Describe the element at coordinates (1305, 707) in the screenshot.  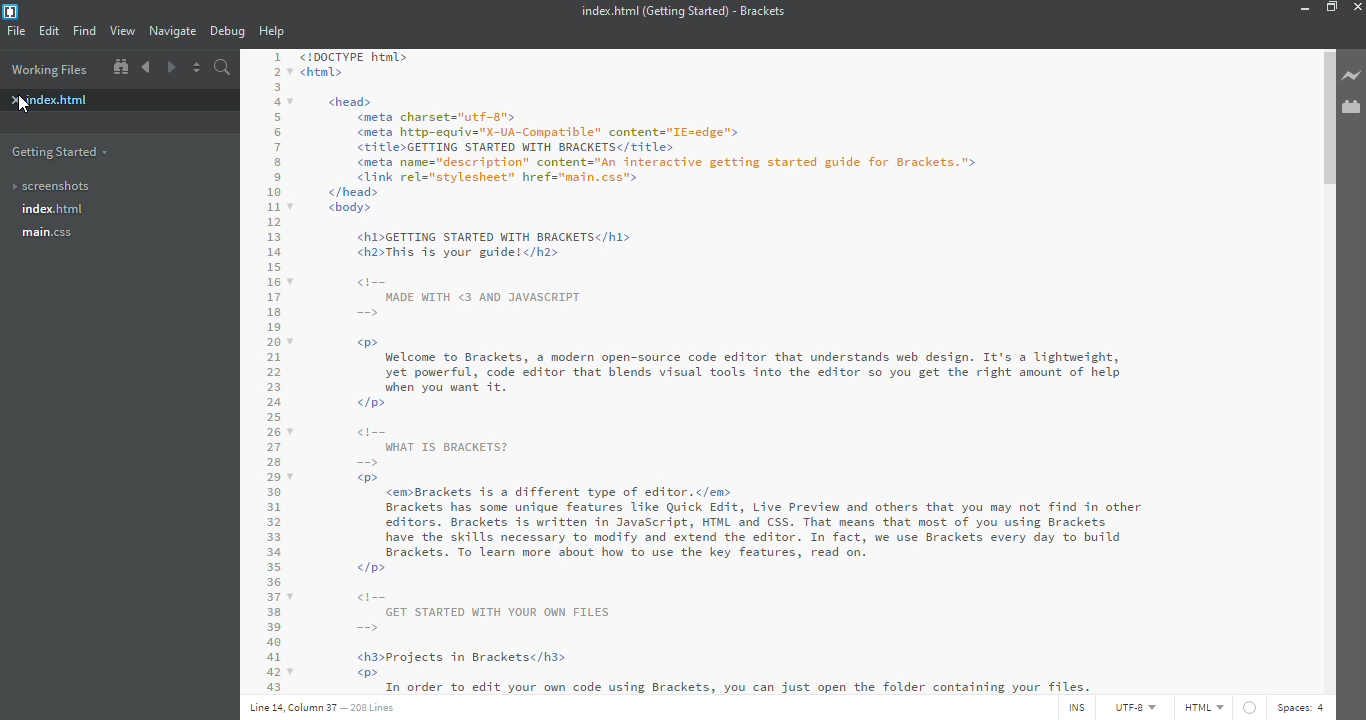
I see `space` at that location.